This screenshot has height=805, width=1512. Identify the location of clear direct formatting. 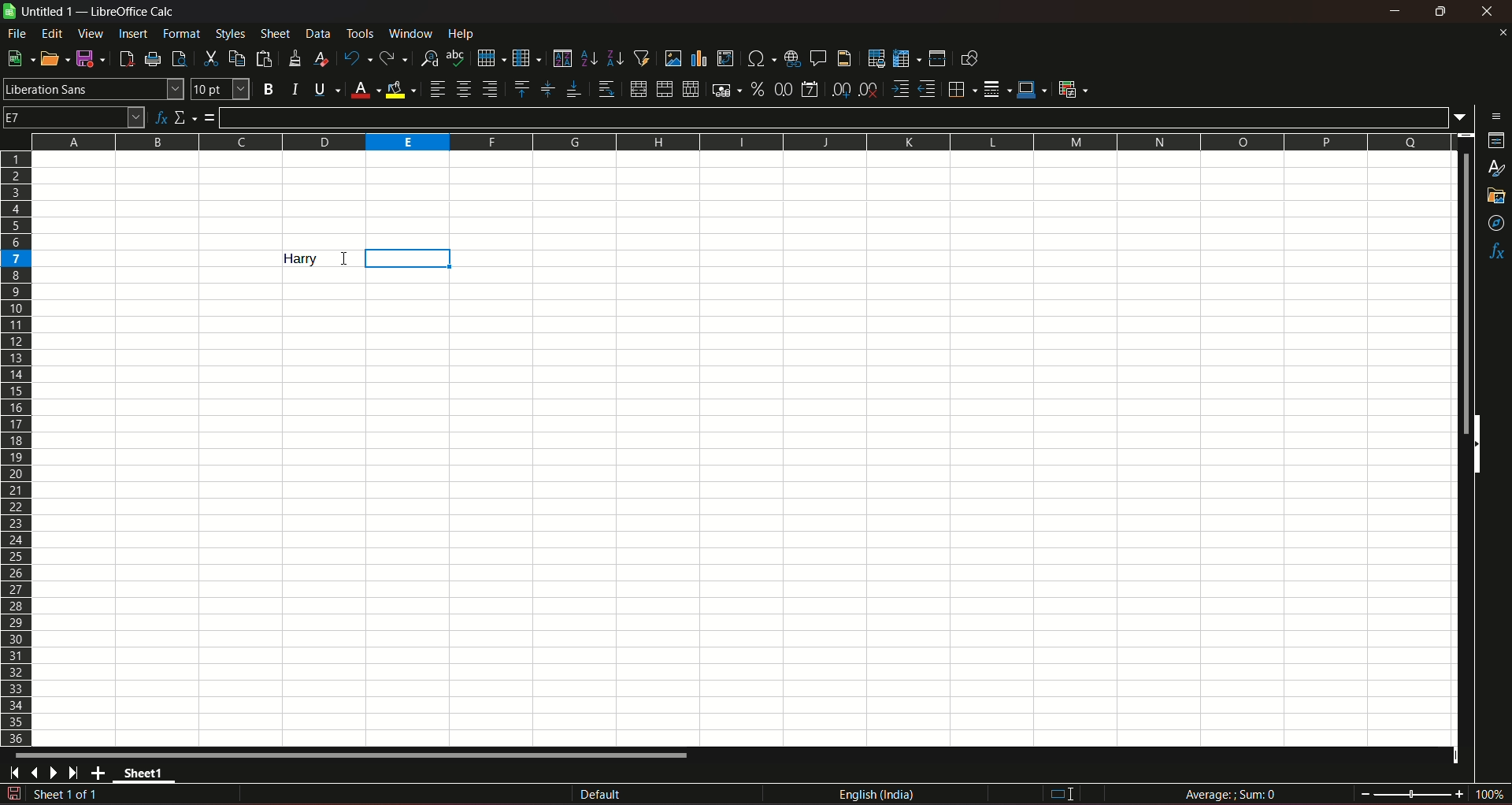
(324, 58).